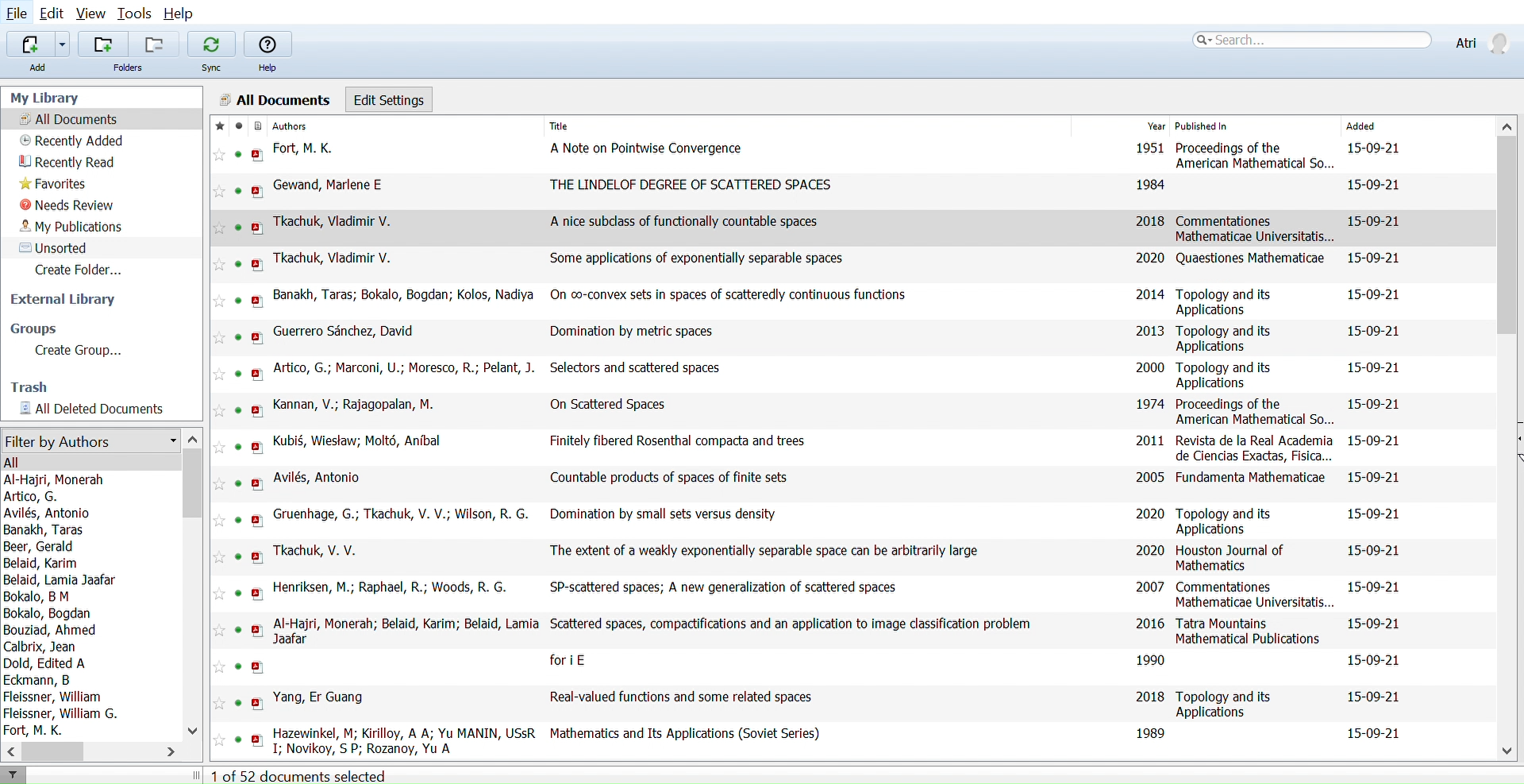 Image resolution: width=1524 pixels, height=784 pixels. Describe the element at coordinates (398, 126) in the screenshot. I see `Authors` at that location.